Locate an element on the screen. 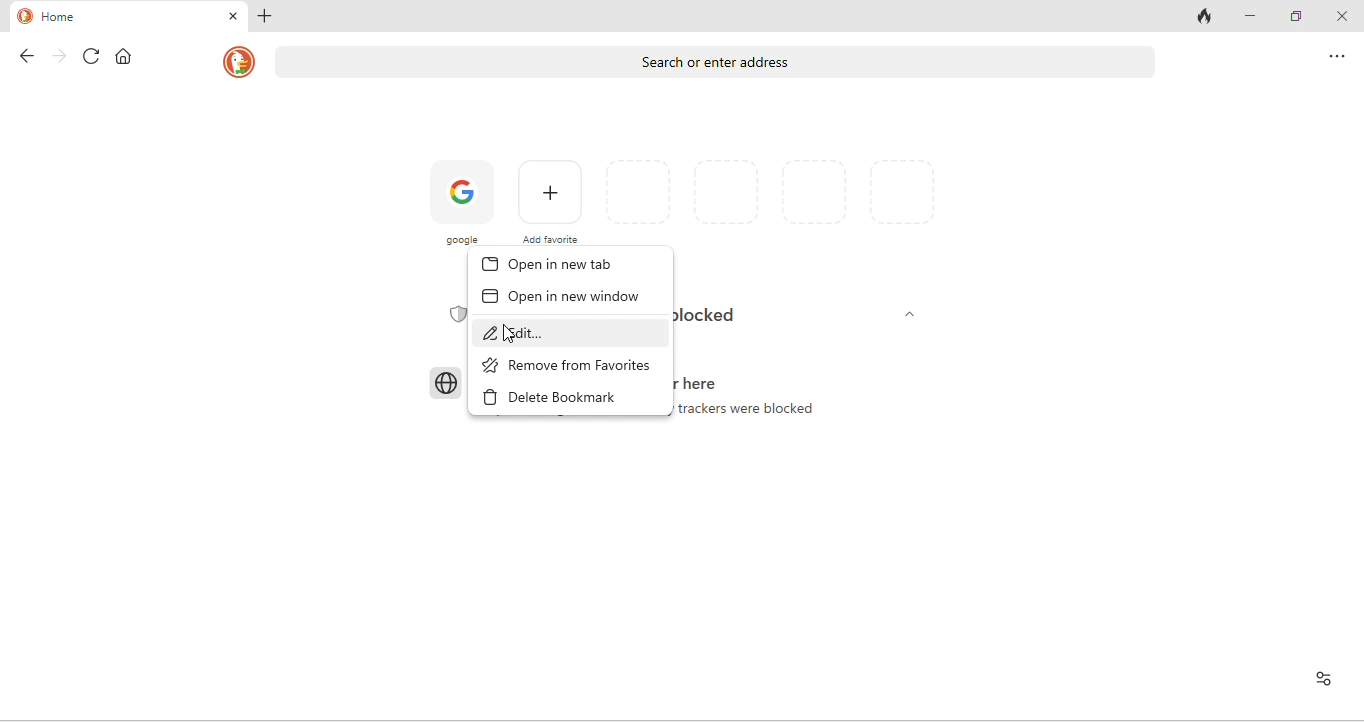 The width and height of the screenshot is (1364, 722). homepage is located at coordinates (236, 64).